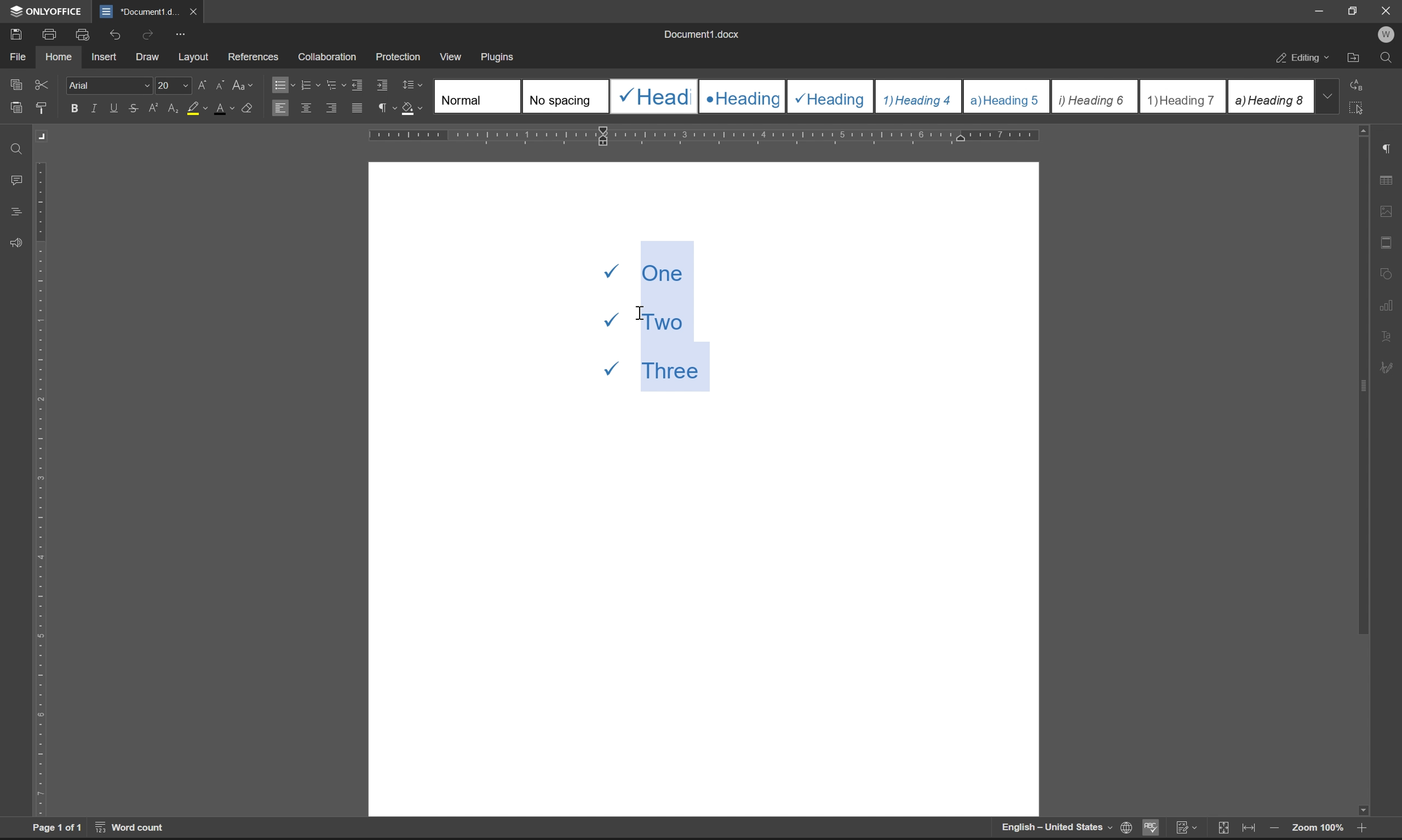 The height and width of the screenshot is (840, 1402). I want to click on increase indent, so click(383, 85).